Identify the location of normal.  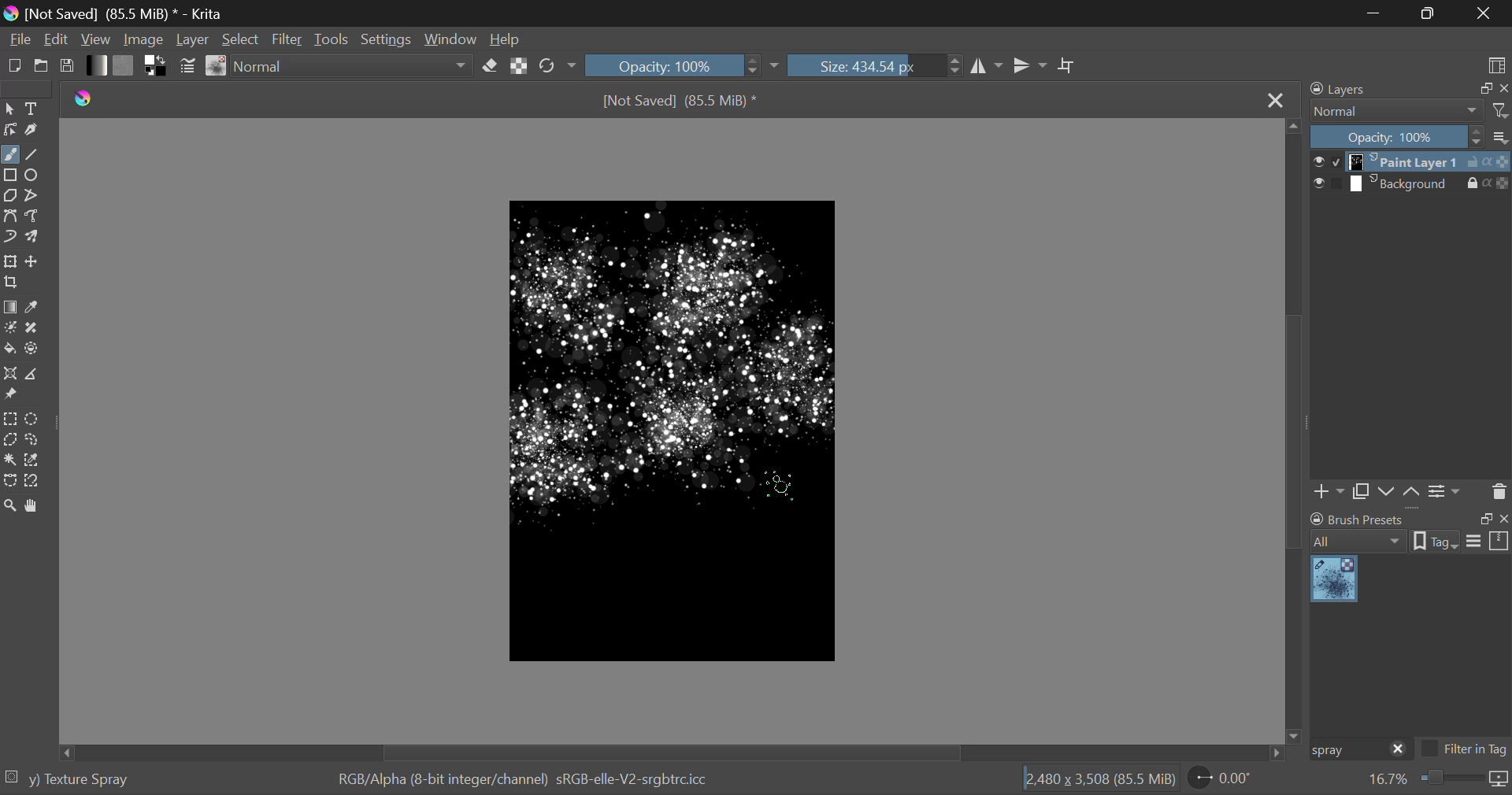
(1397, 111).